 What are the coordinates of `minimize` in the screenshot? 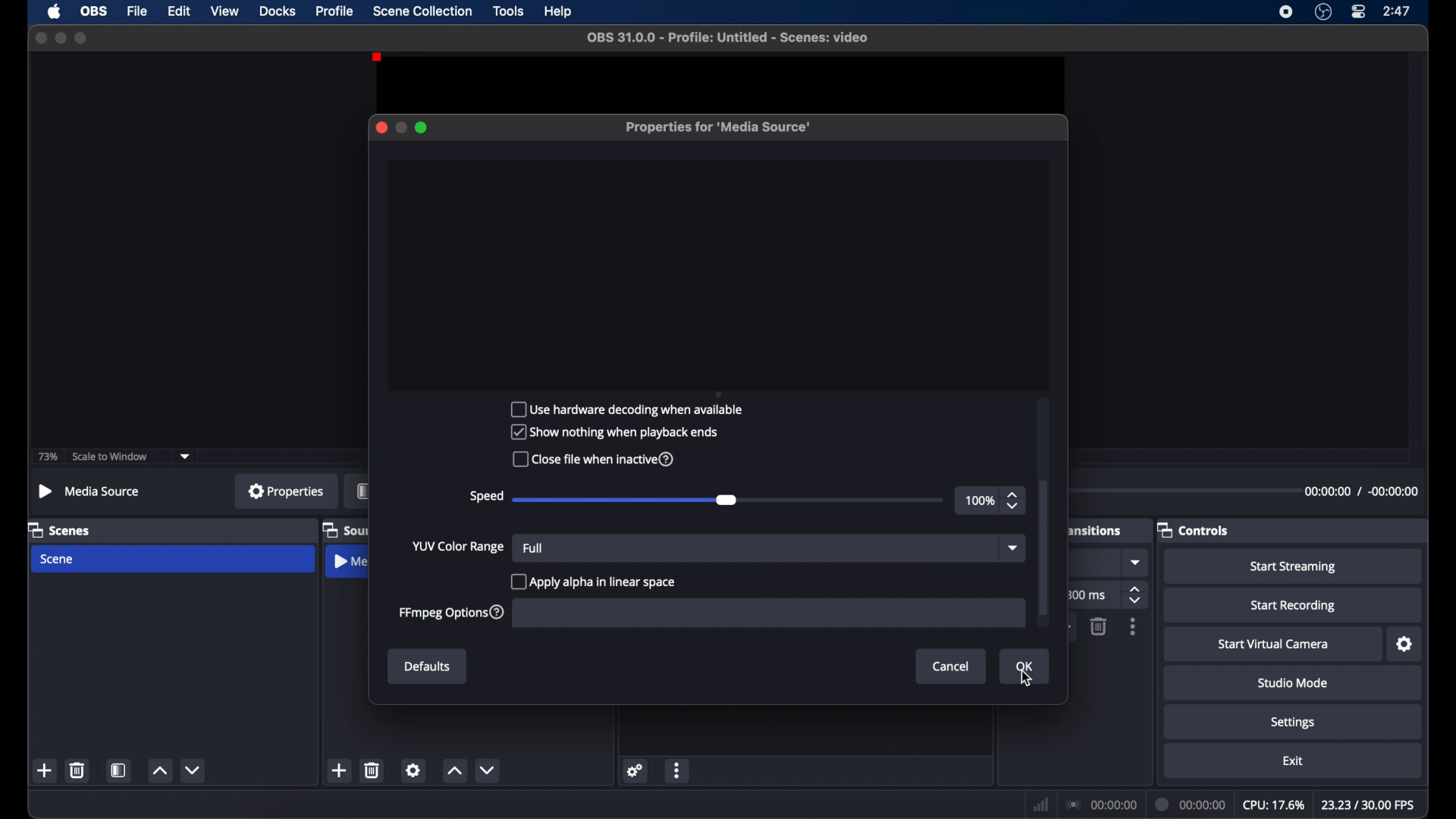 It's located at (400, 127).